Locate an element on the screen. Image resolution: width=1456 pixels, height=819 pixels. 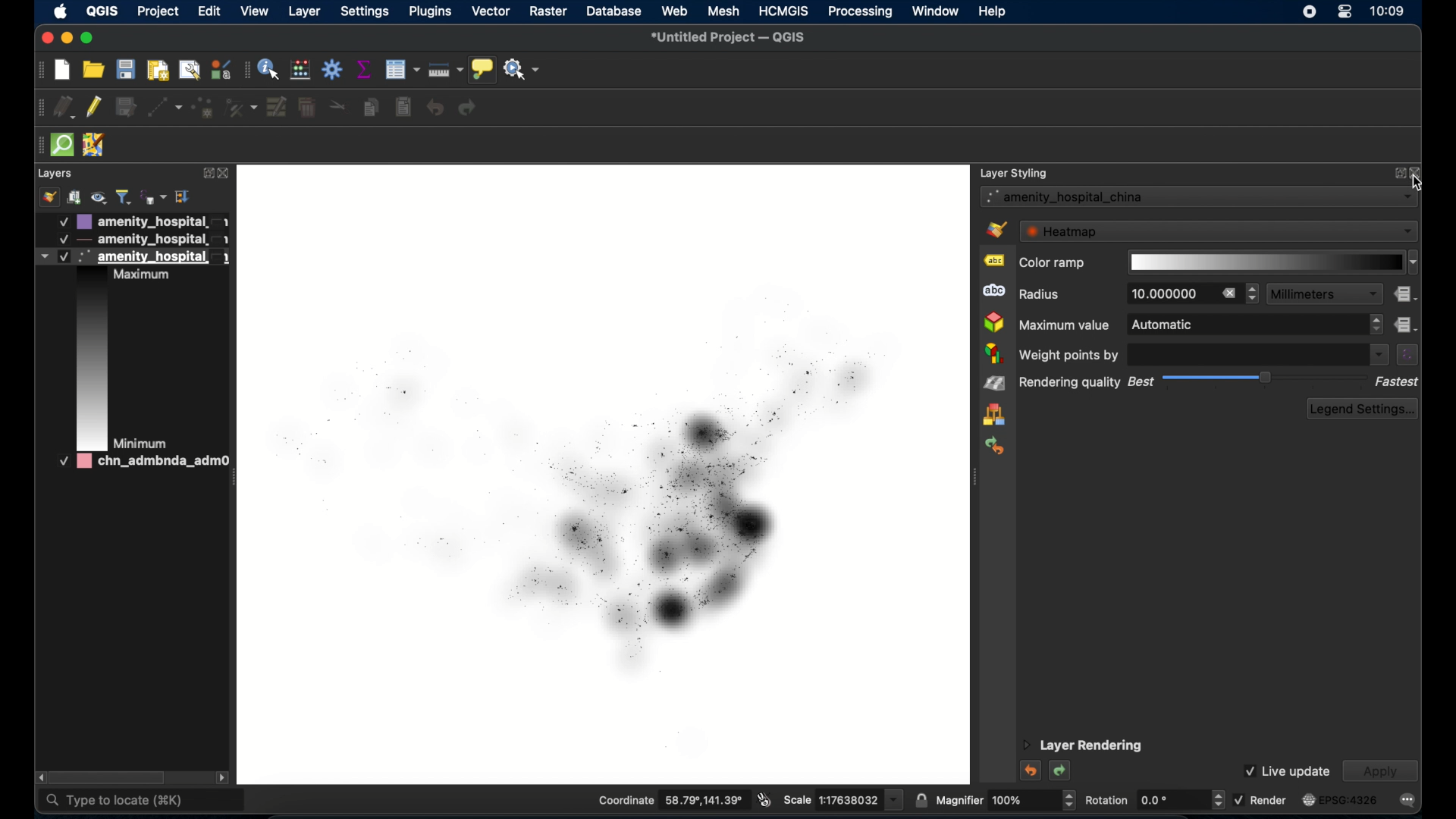
view is located at coordinates (255, 12).